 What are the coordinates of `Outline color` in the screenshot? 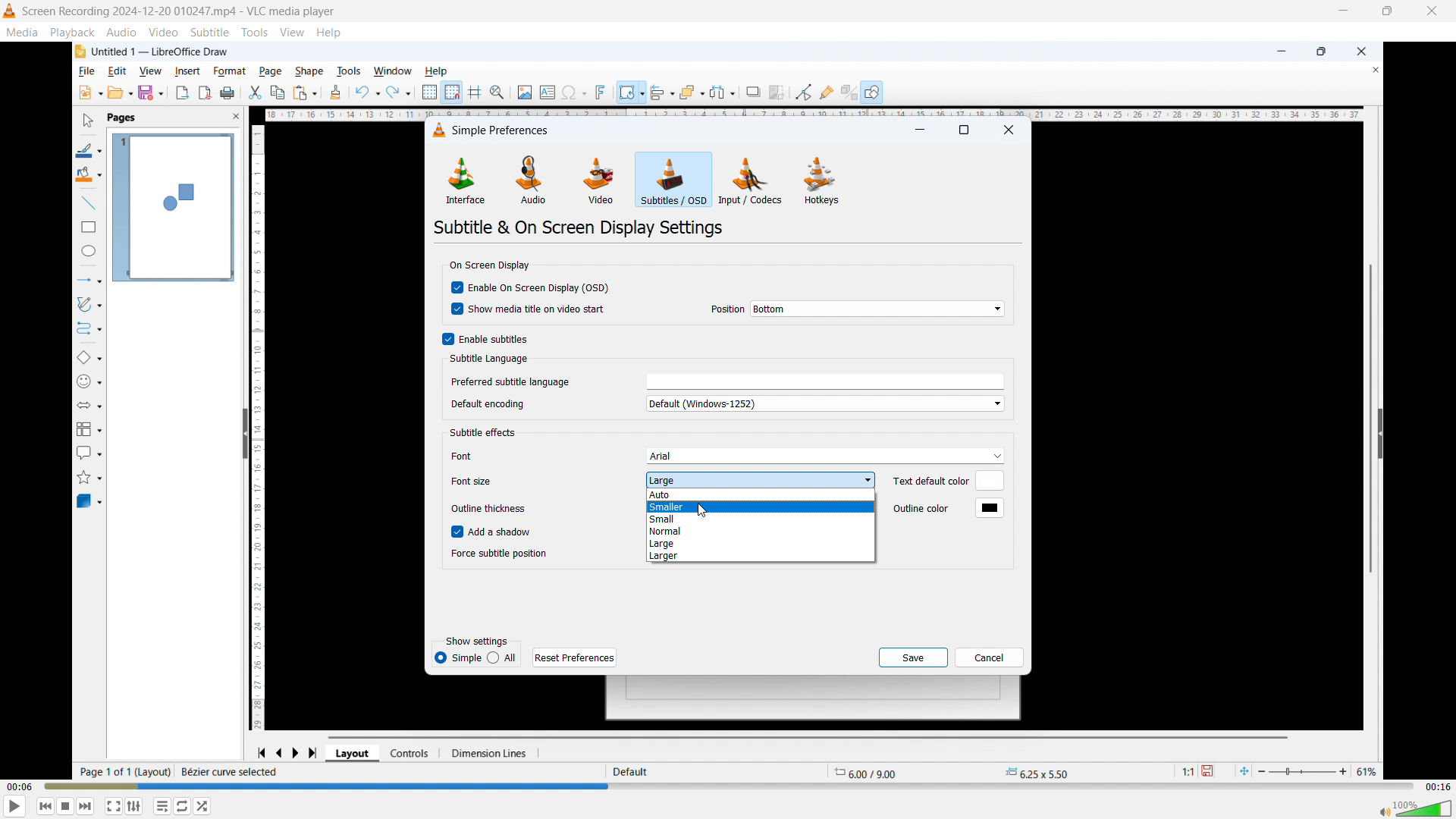 It's located at (921, 508).